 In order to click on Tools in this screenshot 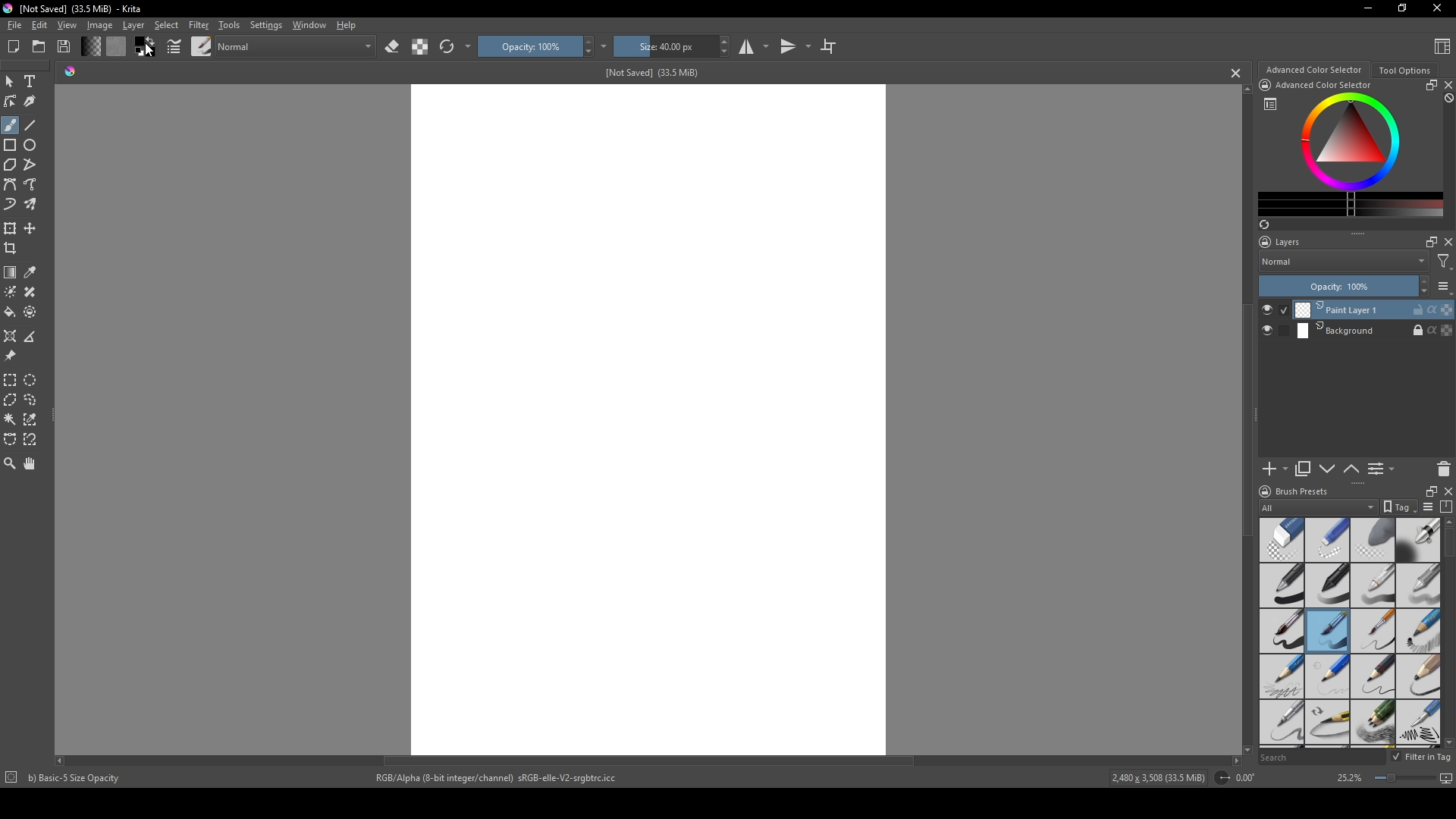, I will do `click(229, 24)`.